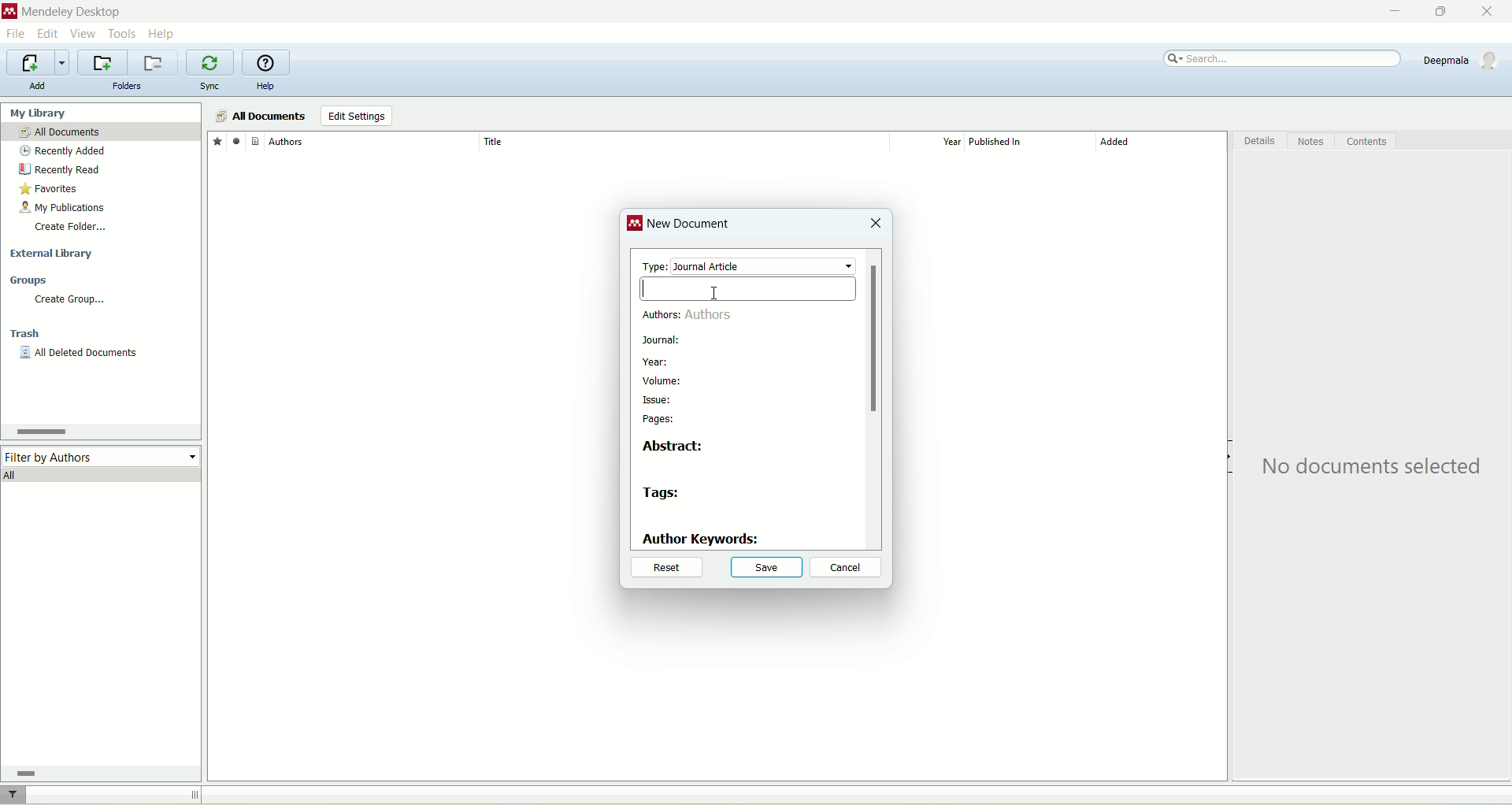 This screenshot has width=1512, height=805. Describe the element at coordinates (84, 34) in the screenshot. I see `view` at that location.